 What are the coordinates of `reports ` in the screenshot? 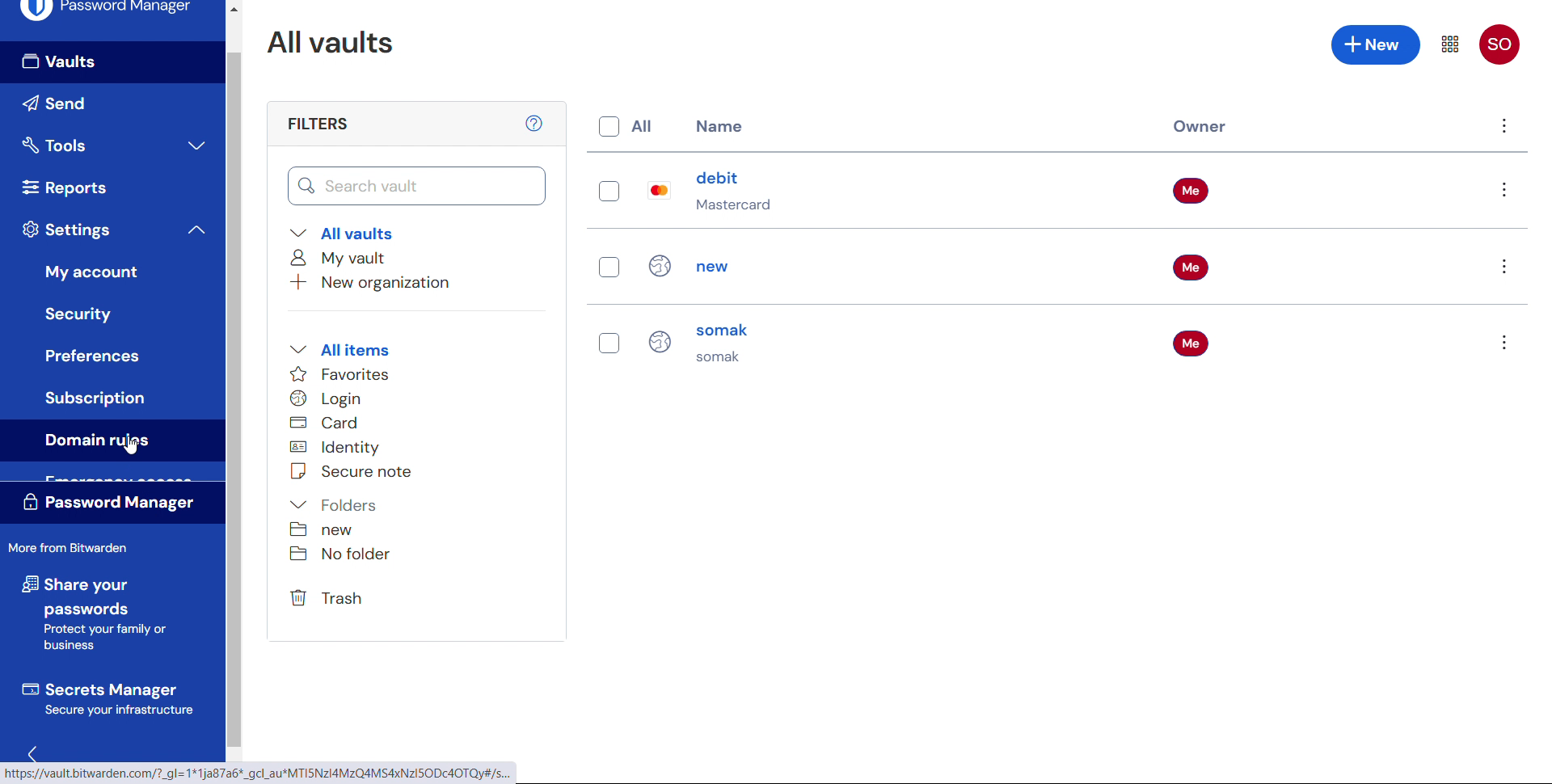 It's located at (65, 187).